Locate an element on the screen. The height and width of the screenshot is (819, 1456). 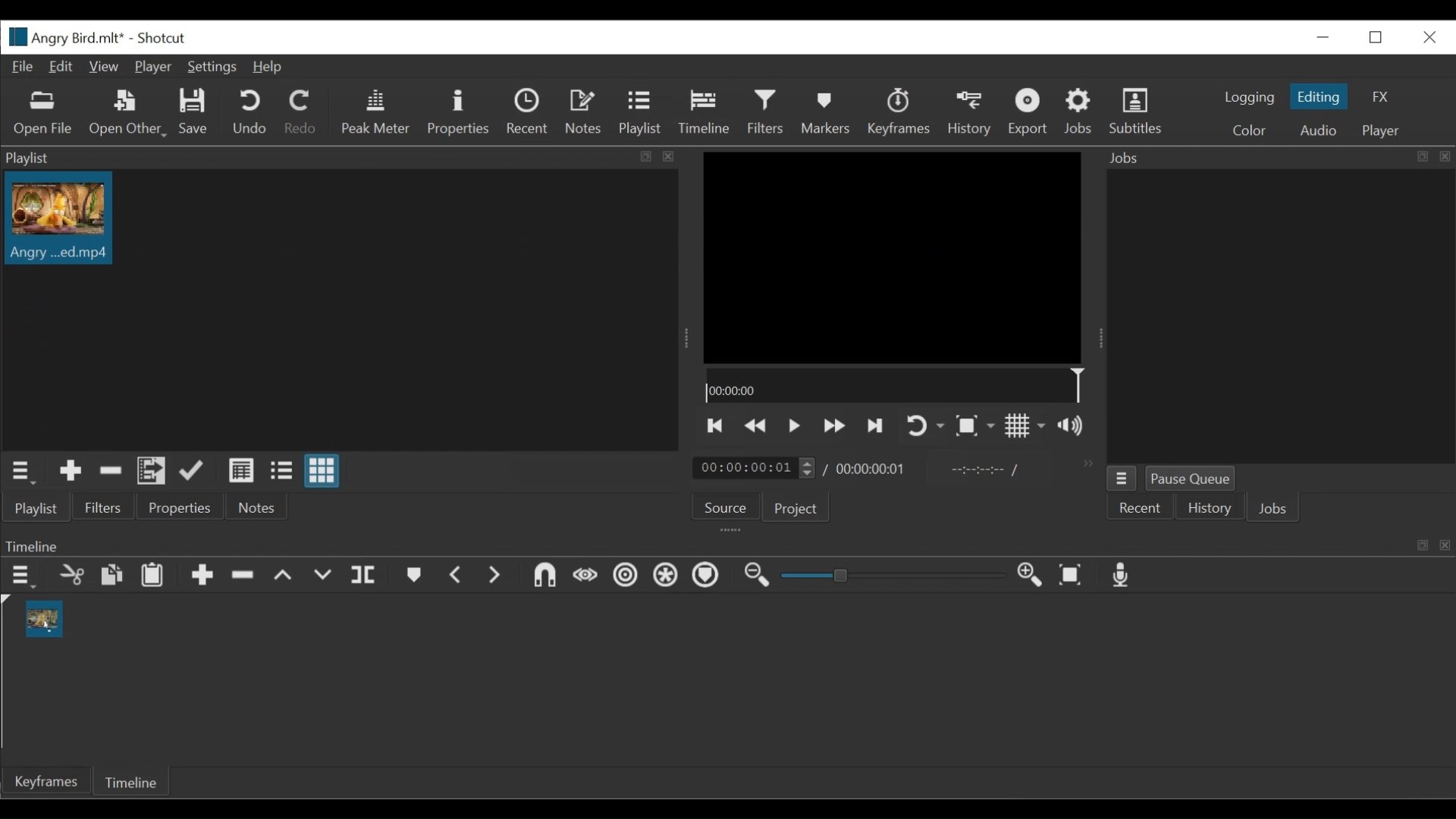
Ripple markers is located at coordinates (709, 576).